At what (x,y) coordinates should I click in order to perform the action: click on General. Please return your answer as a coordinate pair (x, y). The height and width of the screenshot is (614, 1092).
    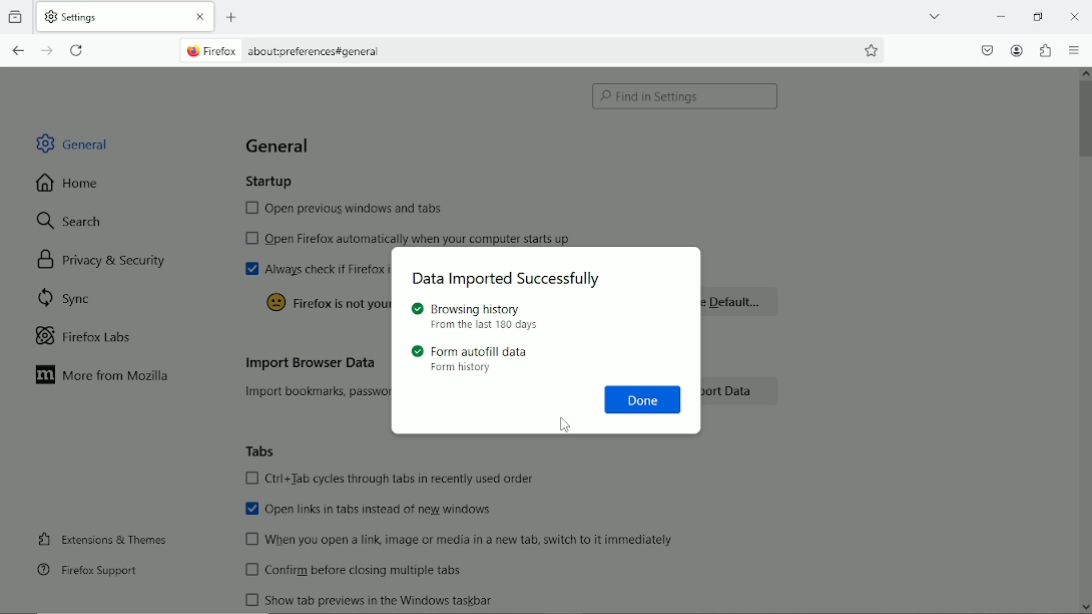
    Looking at the image, I should click on (277, 141).